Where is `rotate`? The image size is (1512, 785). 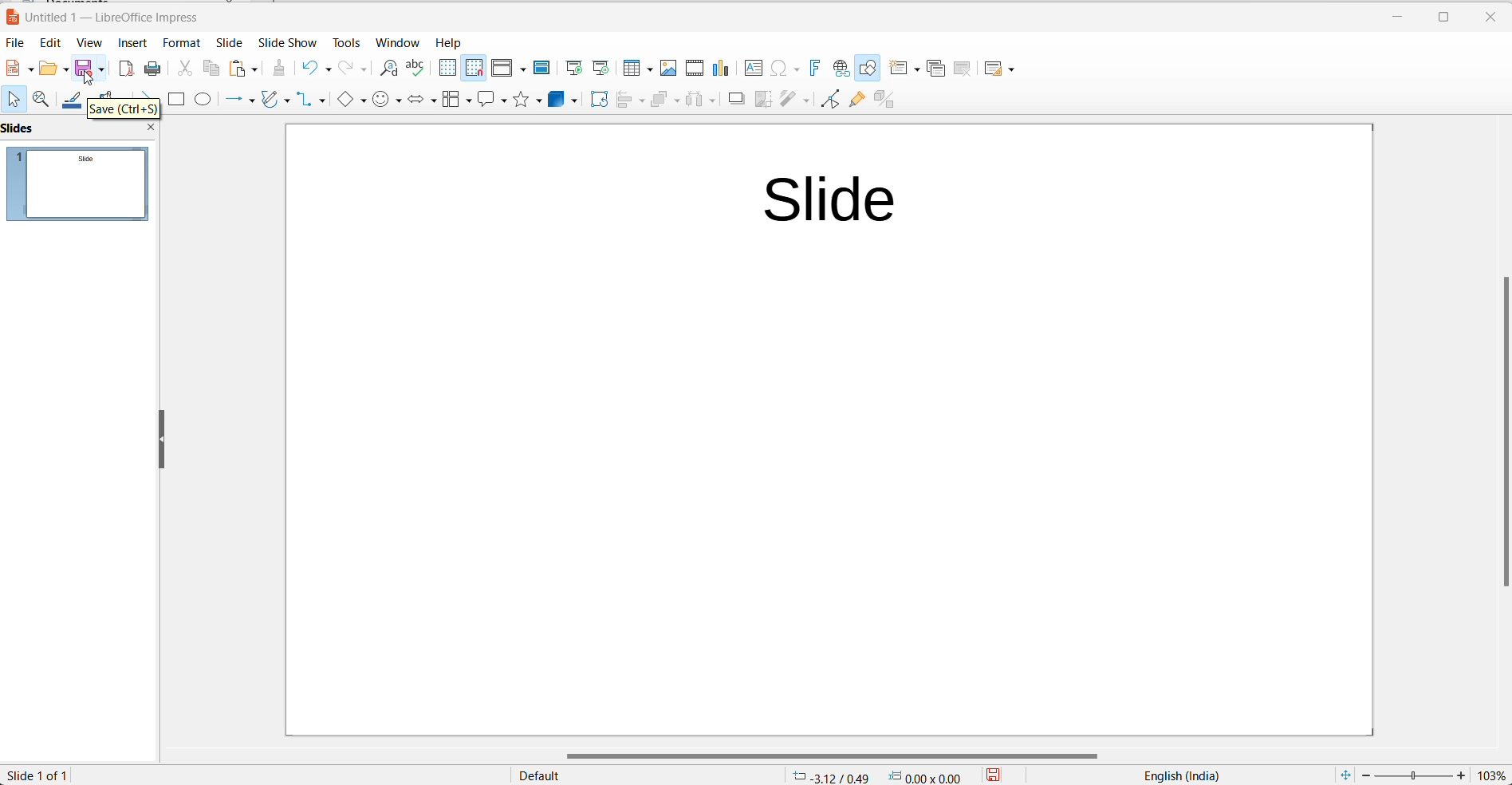
rotate is located at coordinates (597, 101).